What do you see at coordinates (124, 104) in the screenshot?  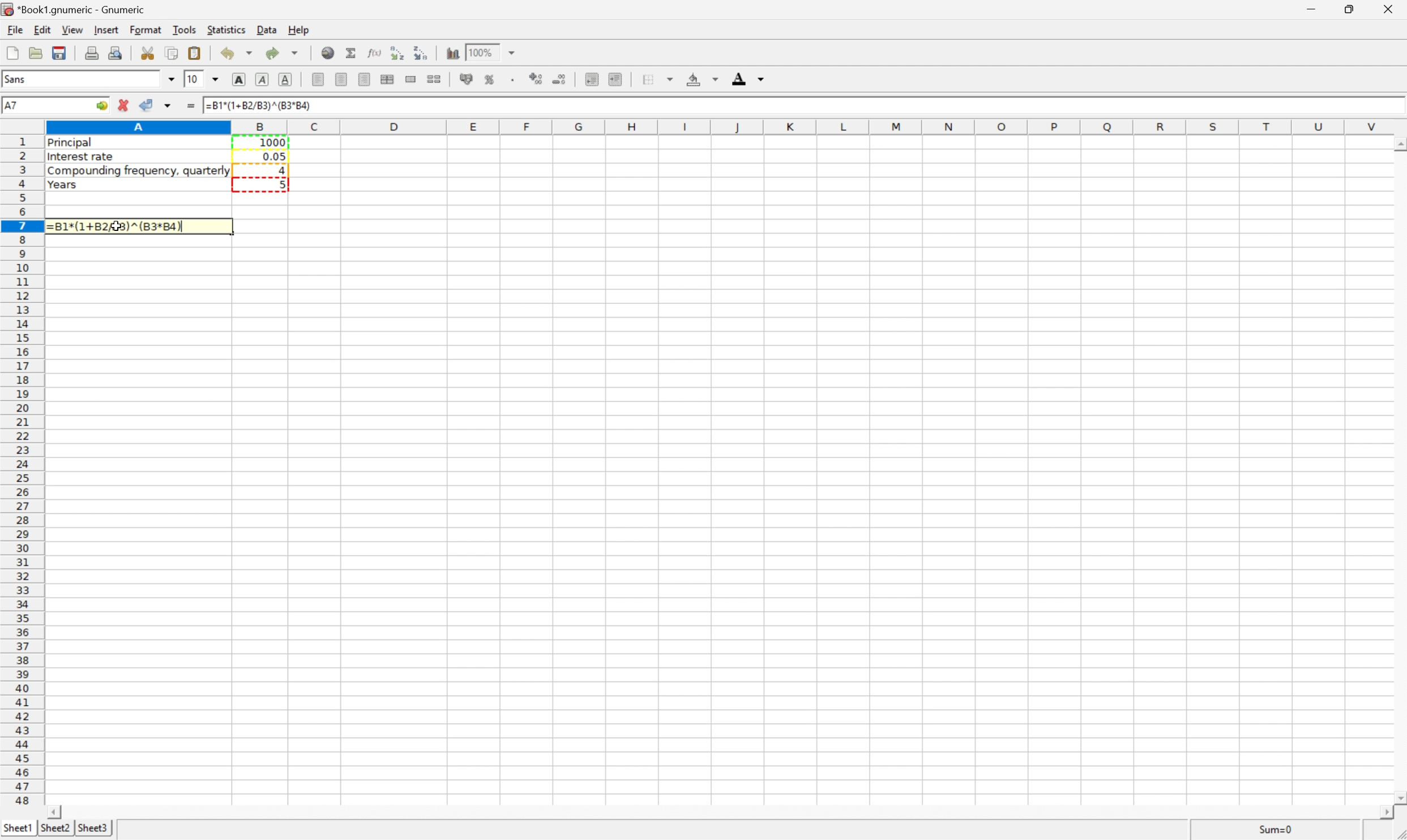 I see `cancel changes` at bounding box center [124, 104].